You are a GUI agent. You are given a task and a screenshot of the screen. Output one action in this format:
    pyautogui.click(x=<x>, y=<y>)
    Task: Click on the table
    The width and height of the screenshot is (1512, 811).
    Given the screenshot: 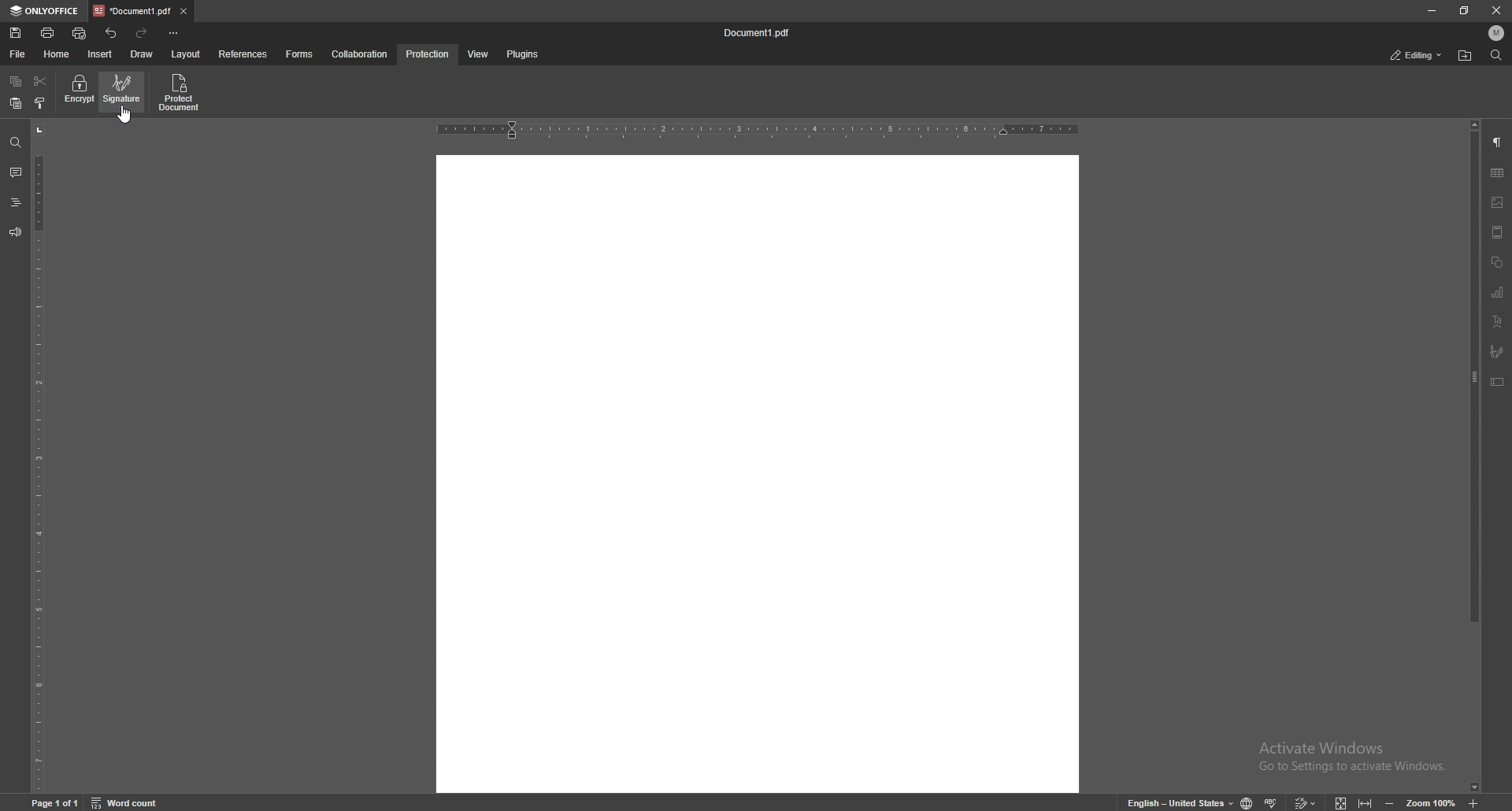 What is the action you would take?
    pyautogui.click(x=1497, y=173)
    